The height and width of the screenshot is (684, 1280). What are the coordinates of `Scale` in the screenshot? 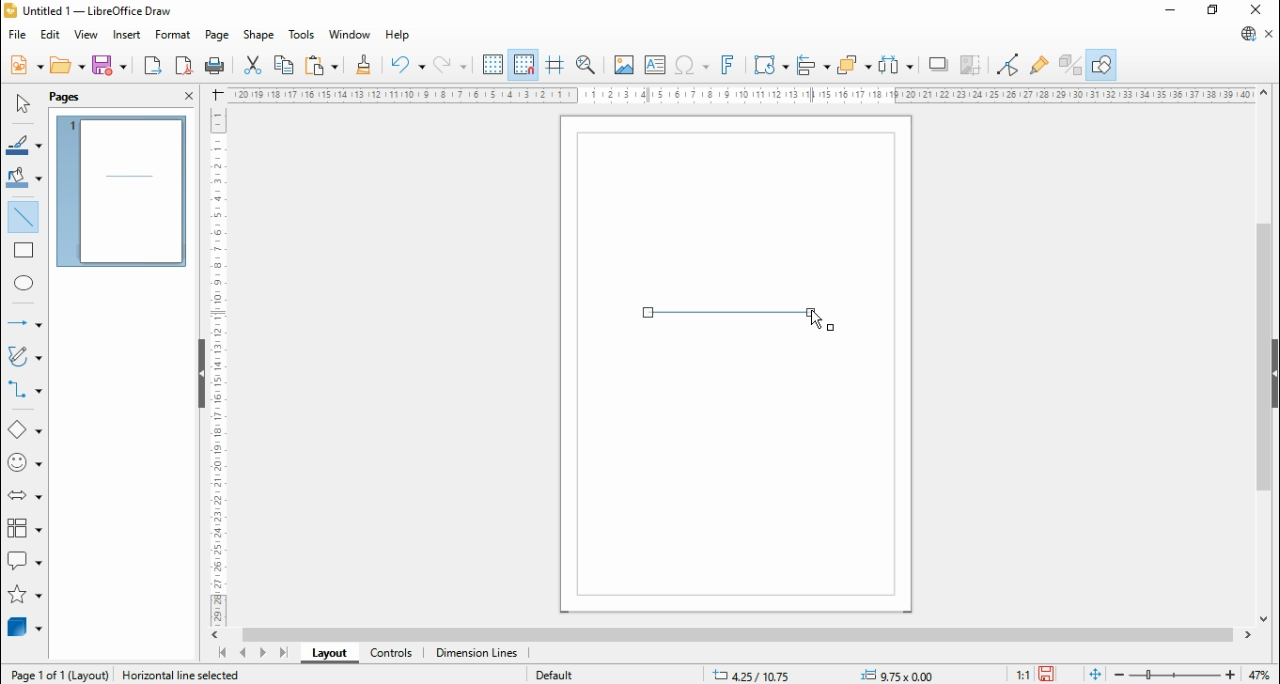 It's located at (738, 94).